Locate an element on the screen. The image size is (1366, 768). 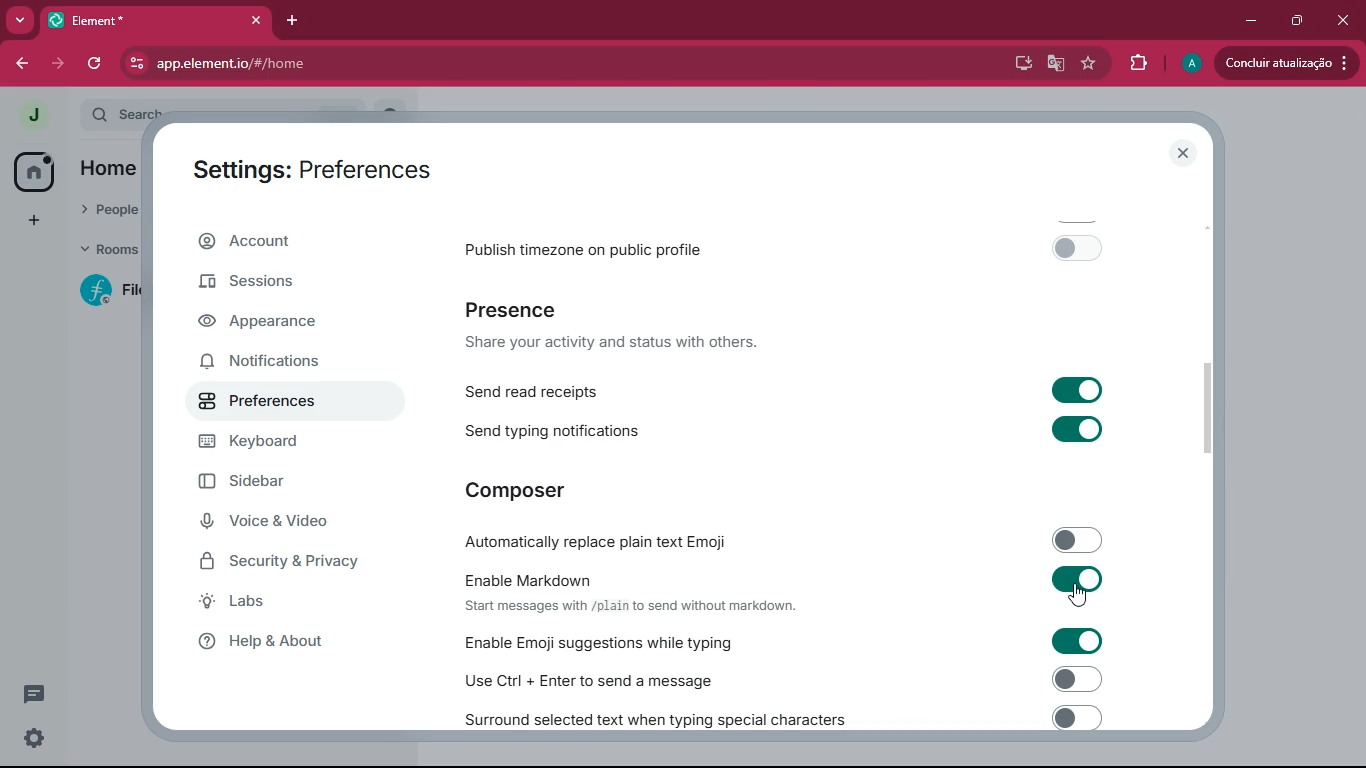
settings: Account is located at coordinates (303, 166).